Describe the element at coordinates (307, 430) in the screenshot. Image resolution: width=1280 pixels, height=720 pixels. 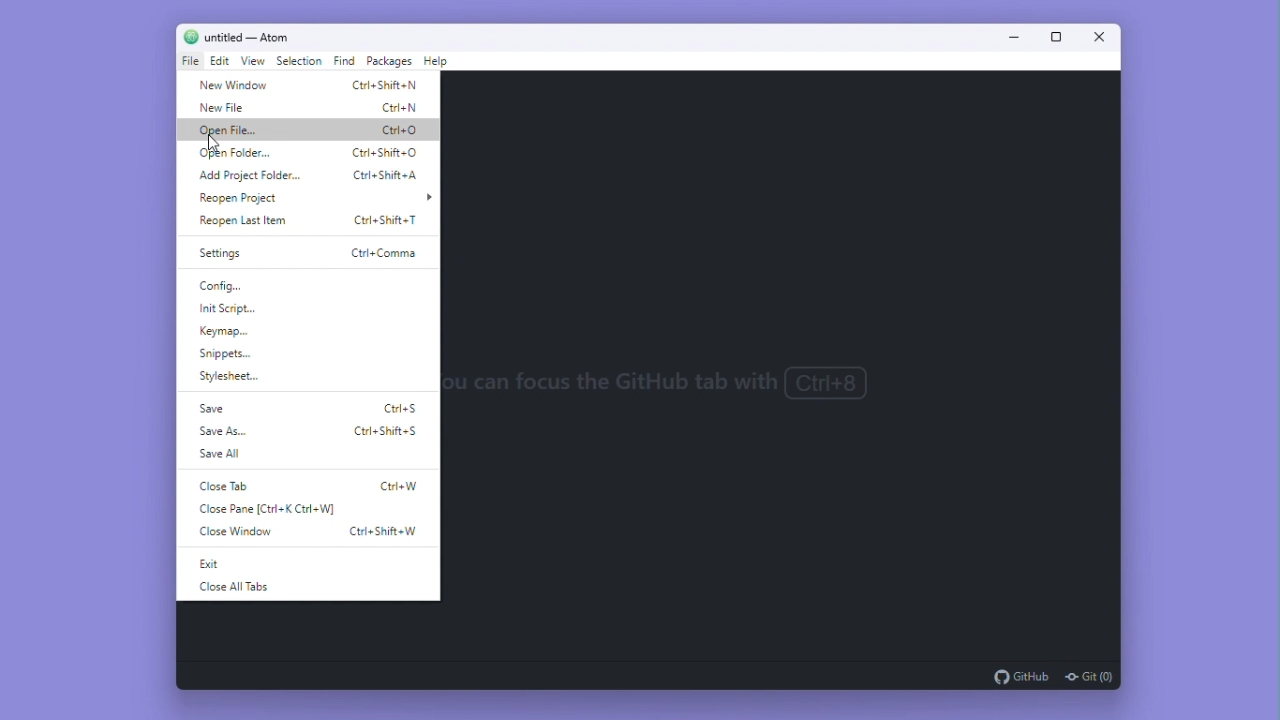
I see `Save as ctrl+shift+s` at that location.